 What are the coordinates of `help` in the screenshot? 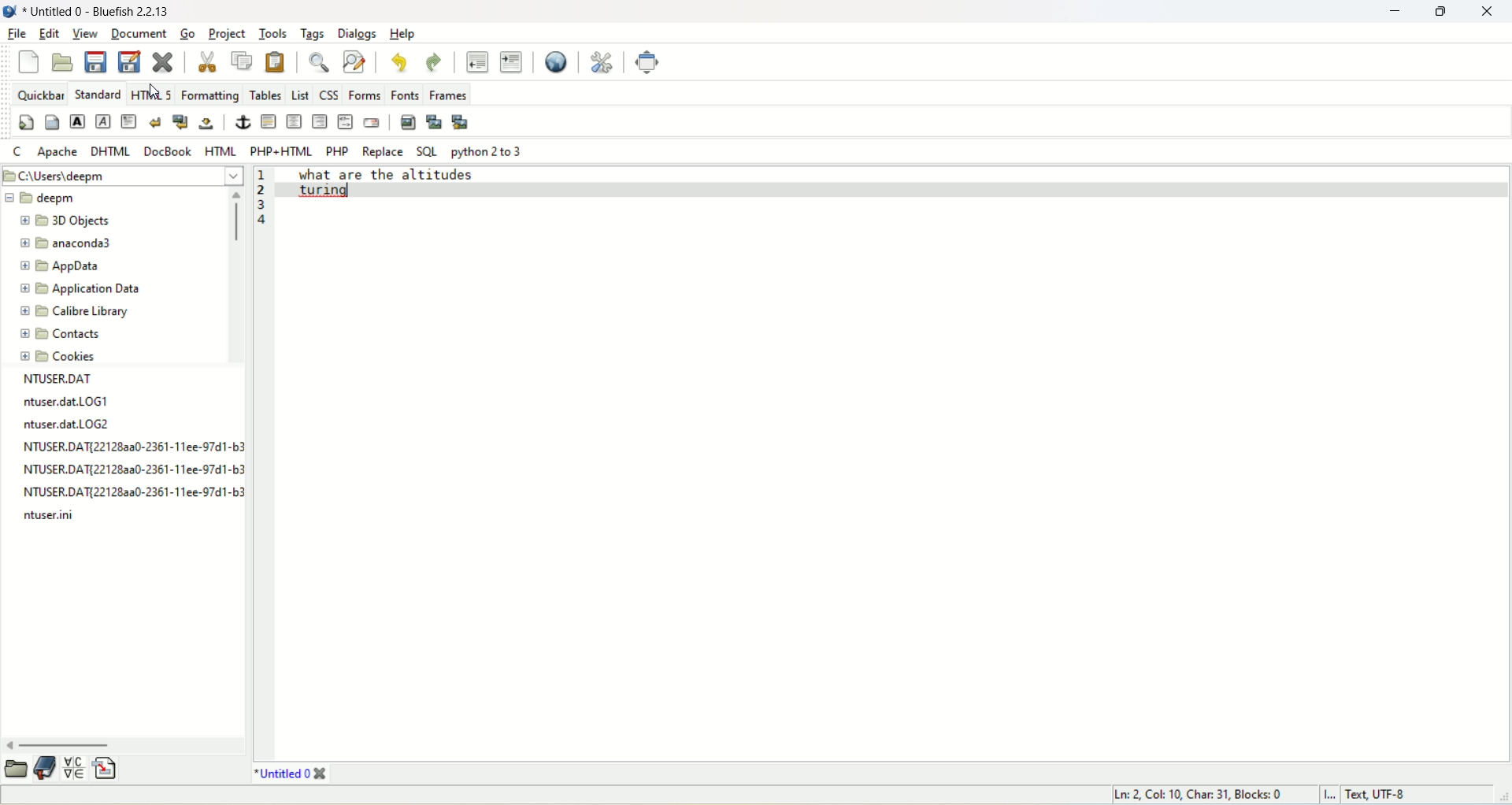 It's located at (406, 33).